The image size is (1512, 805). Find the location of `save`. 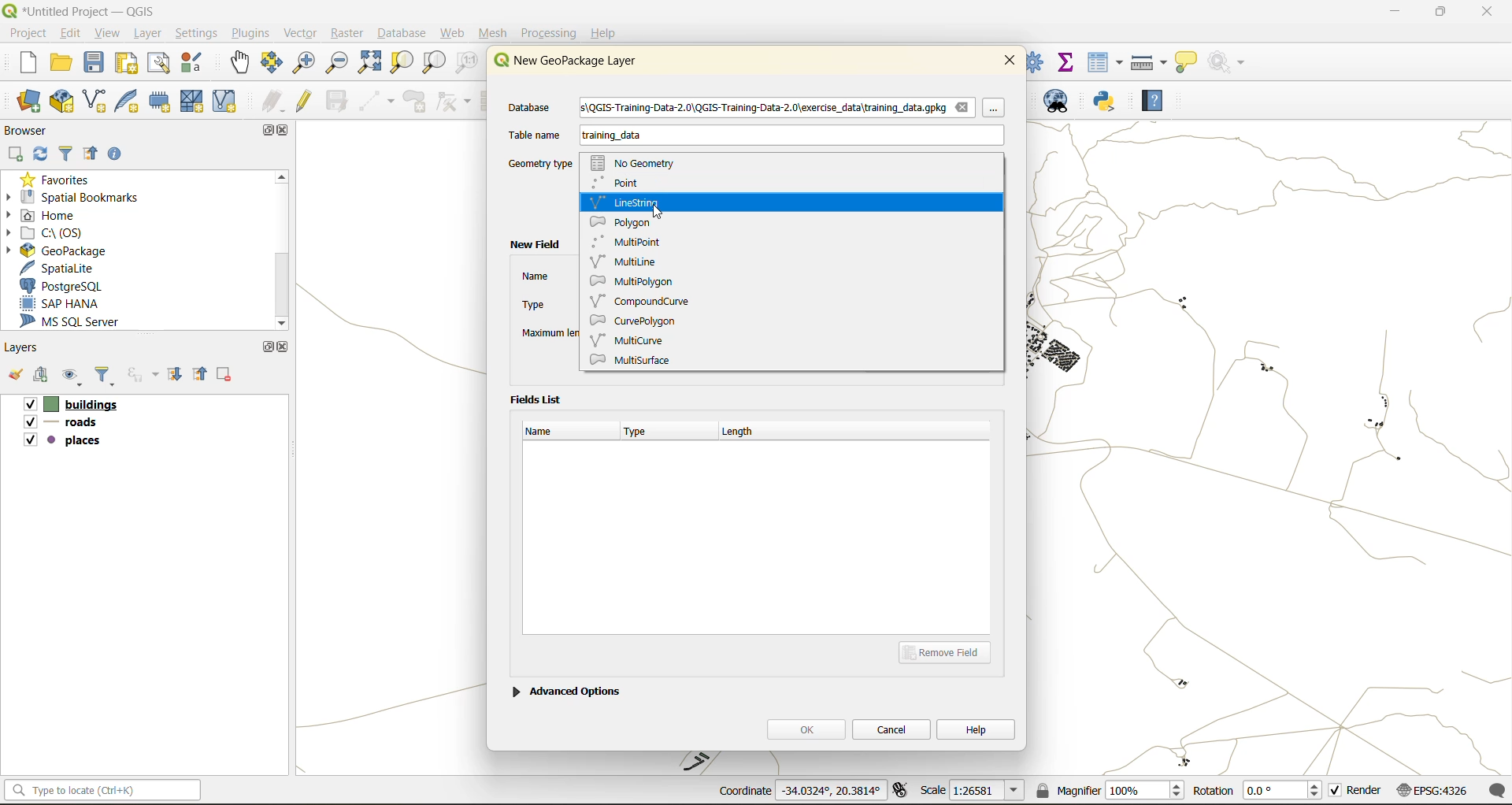

save is located at coordinates (95, 66).